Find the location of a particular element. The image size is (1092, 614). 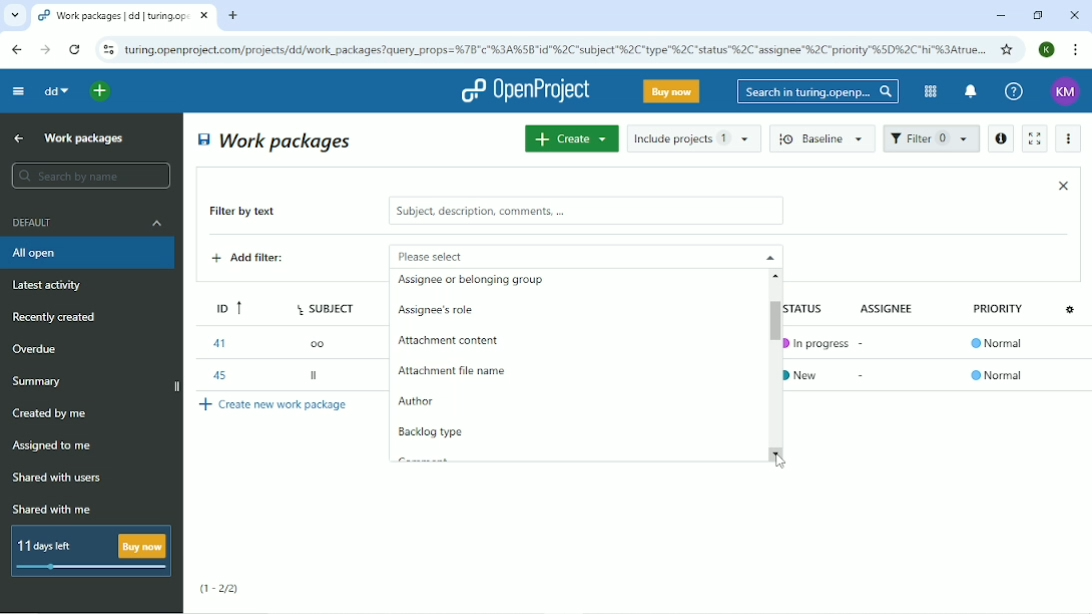

Close is located at coordinates (1063, 185).